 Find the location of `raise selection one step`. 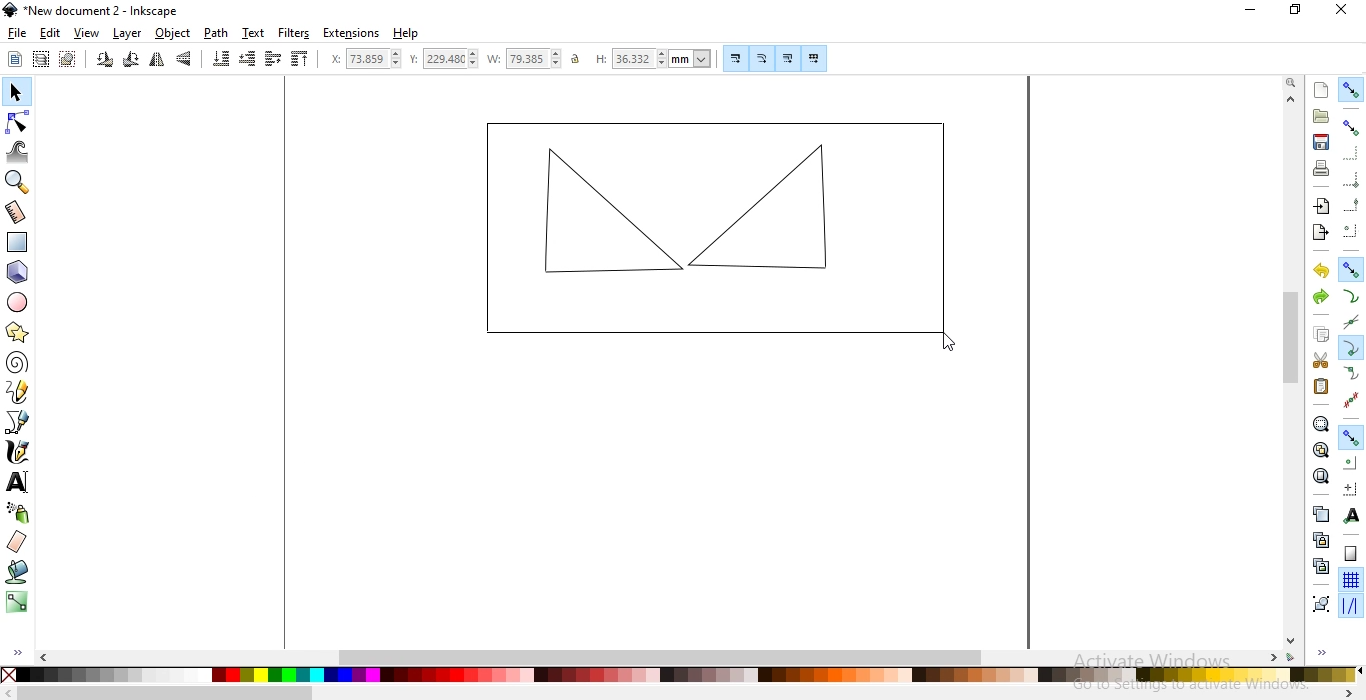

raise selection one step is located at coordinates (272, 60).